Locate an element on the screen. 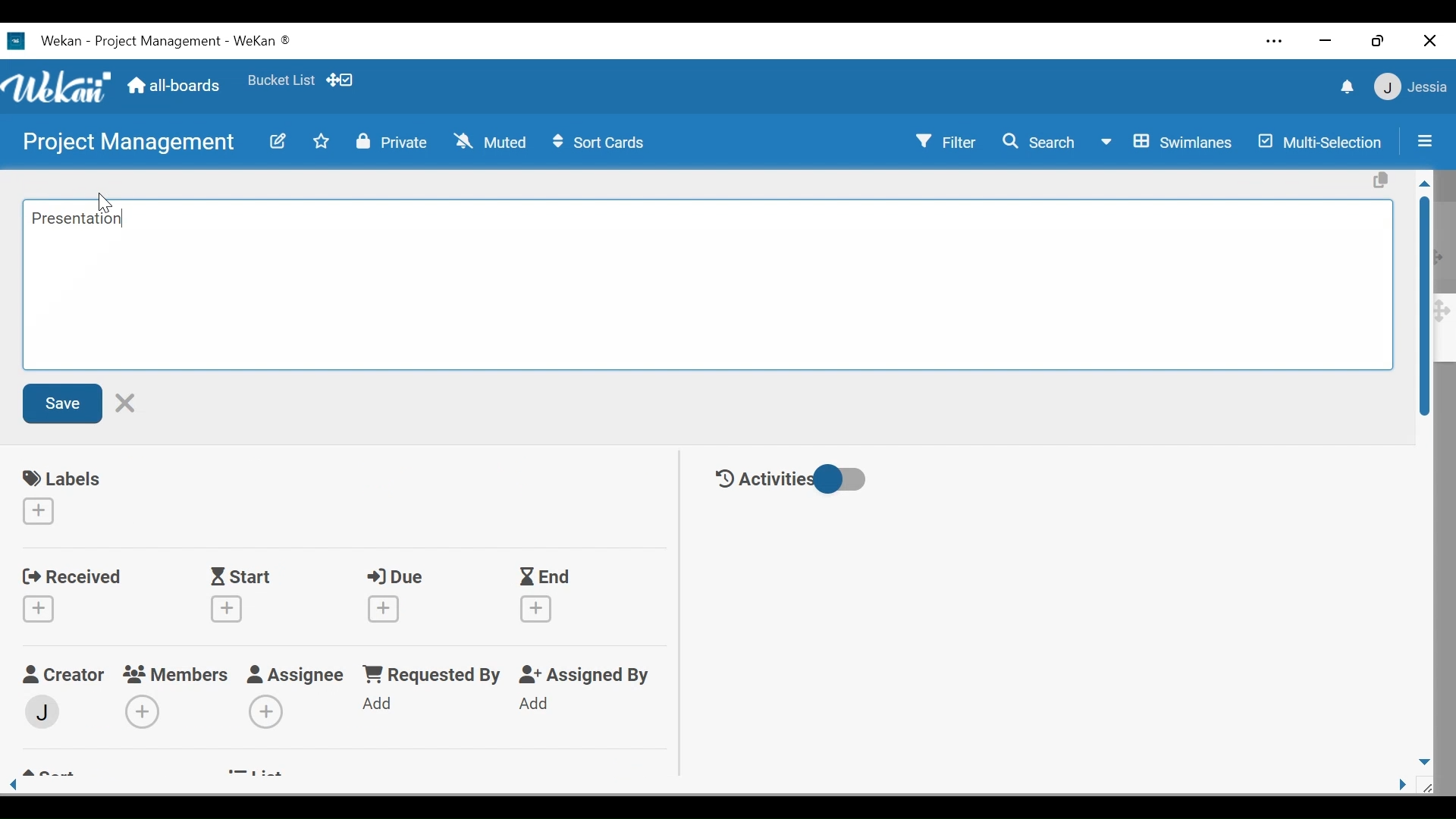 The width and height of the screenshot is (1456, 819). Toggle favorites is located at coordinates (322, 142).